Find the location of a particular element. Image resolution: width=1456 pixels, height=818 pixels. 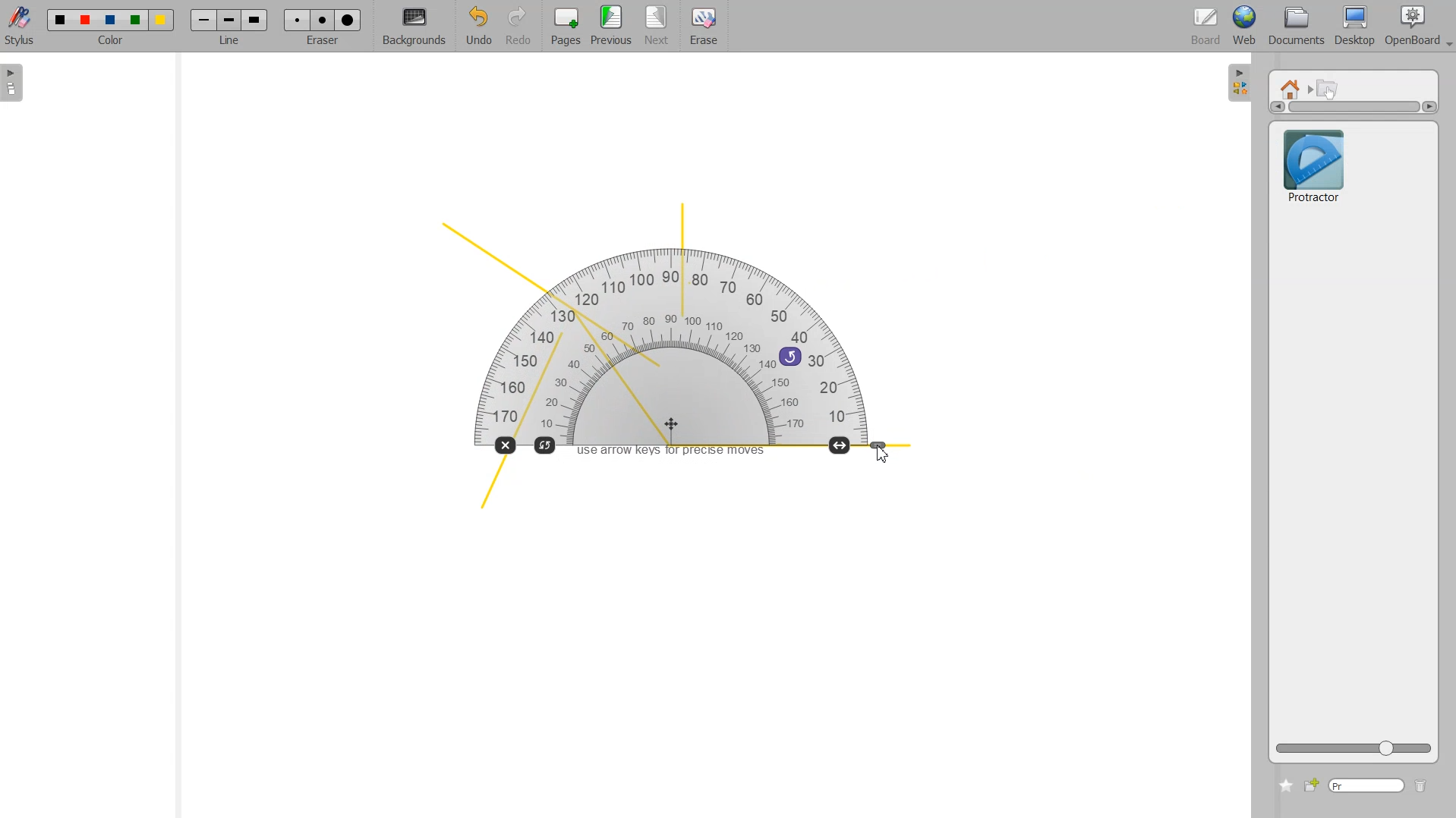

Documents is located at coordinates (1294, 27).